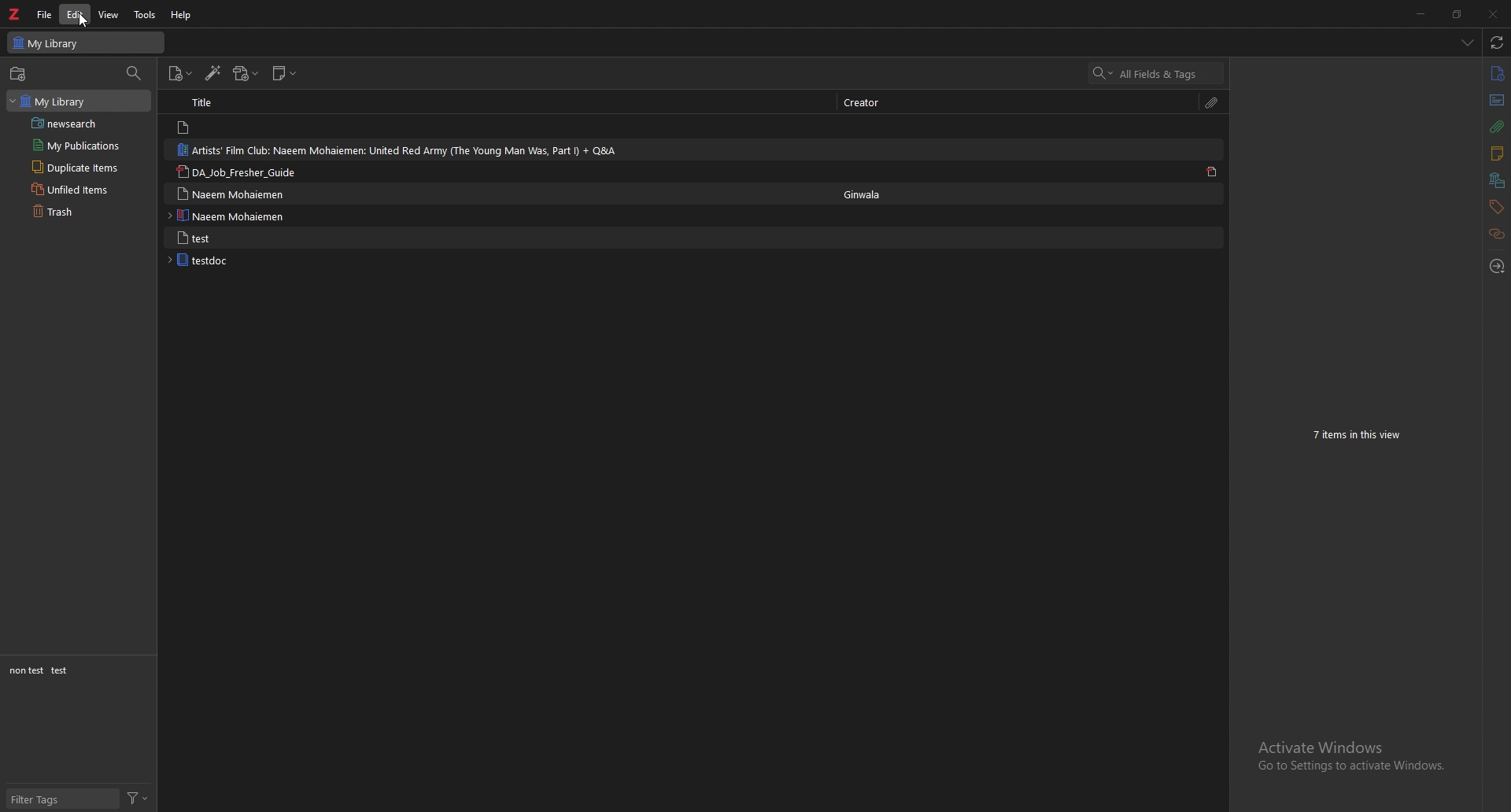  What do you see at coordinates (181, 73) in the screenshot?
I see `new item` at bounding box center [181, 73].